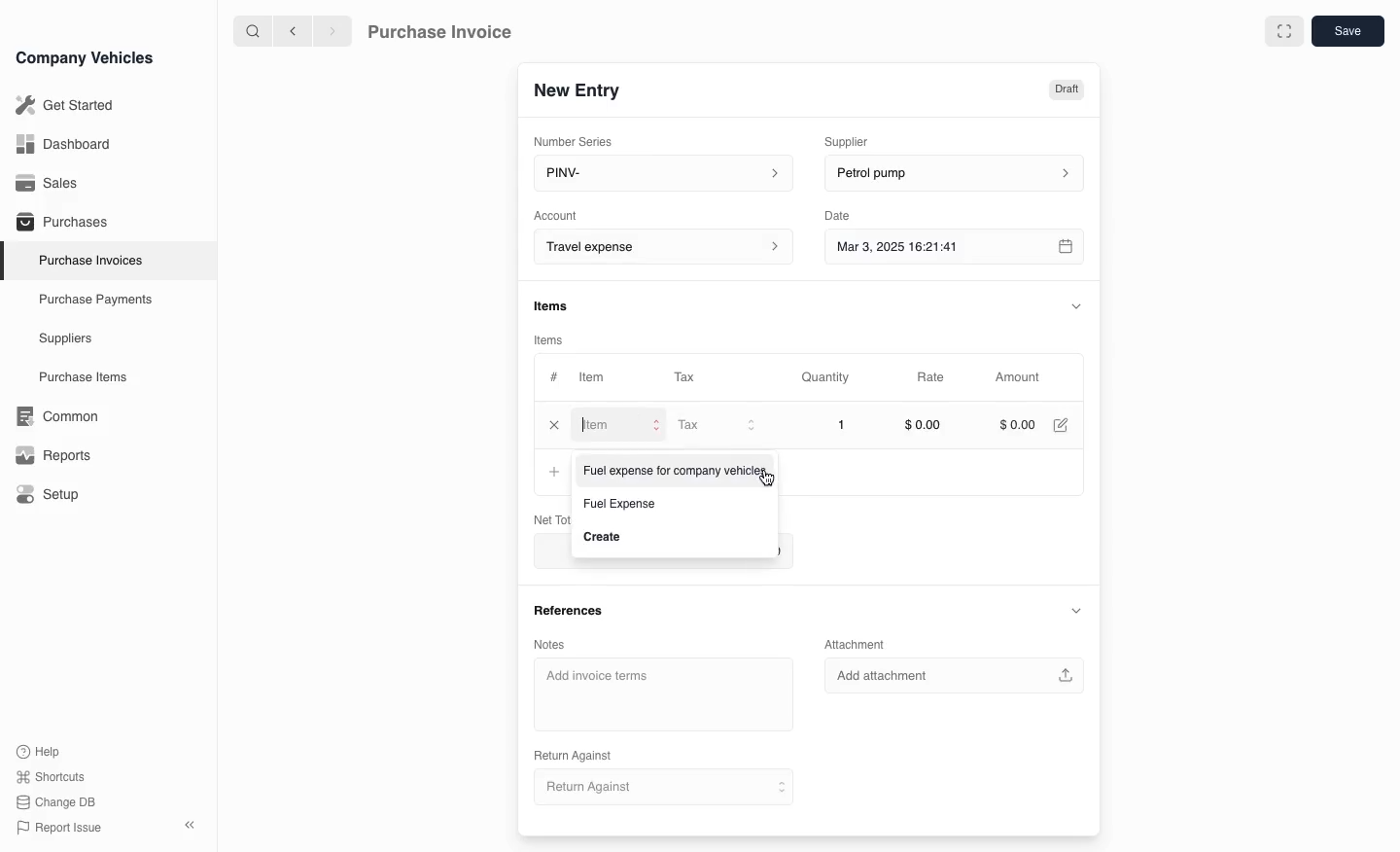 The height and width of the screenshot is (852, 1400). Describe the element at coordinates (672, 473) in the screenshot. I see `Fuel expense for company vehicle,` at that location.